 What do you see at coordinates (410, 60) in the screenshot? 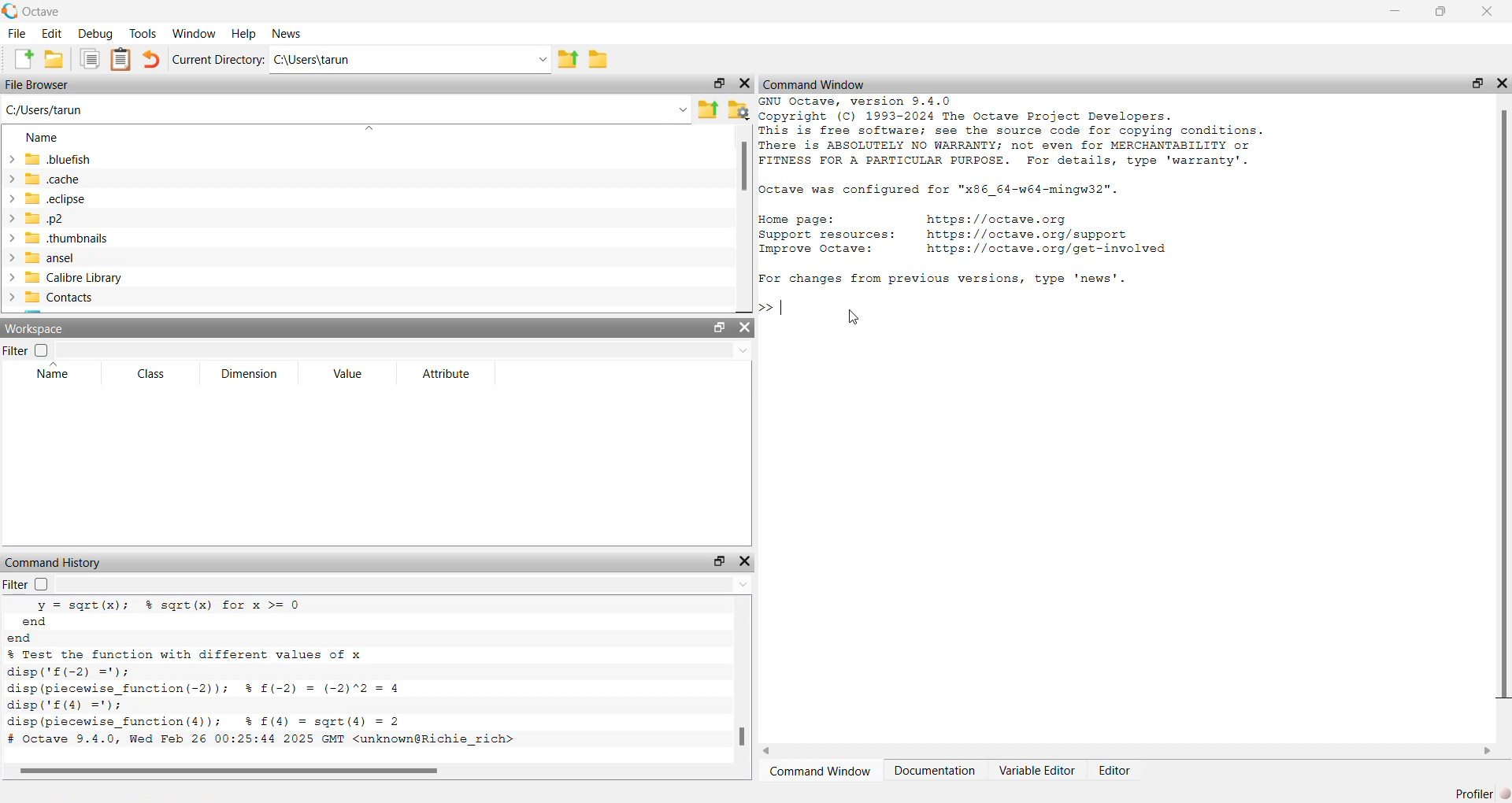
I see `C:/users/tarun` at bounding box center [410, 60].